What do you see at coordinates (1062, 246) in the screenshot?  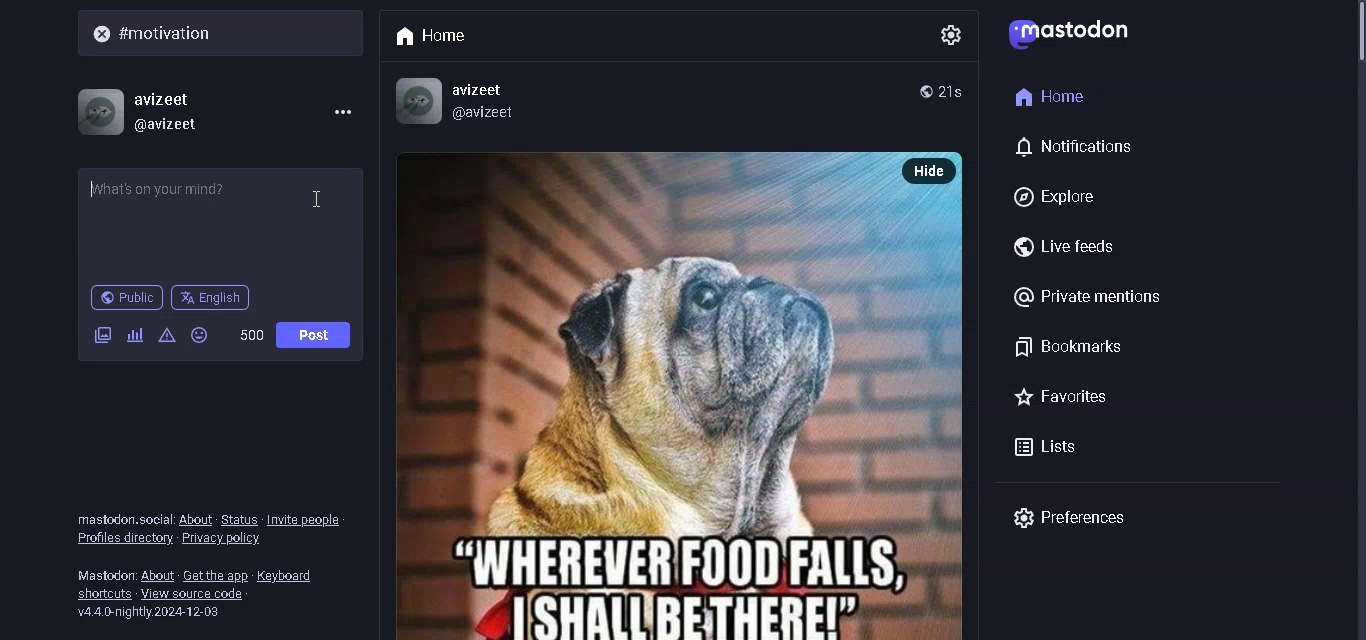 I see `live feeds` at bounding box center [1062, 246].